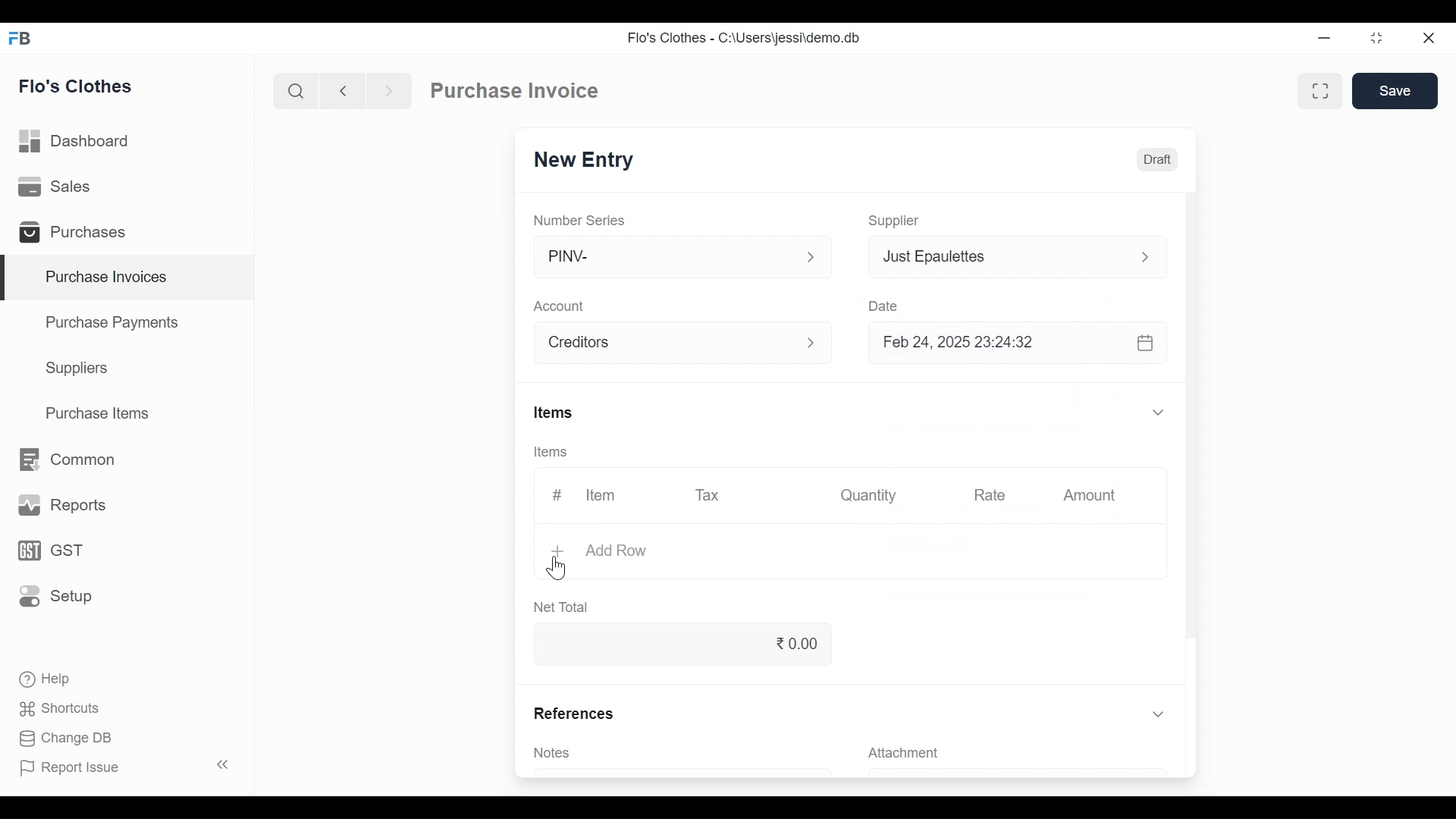 The height and width of the screenshot is (819, 1456). What do you see at coordinates (1090, 495) in the screenshot?
I see `Amount` at bounding box center [1090, 495].